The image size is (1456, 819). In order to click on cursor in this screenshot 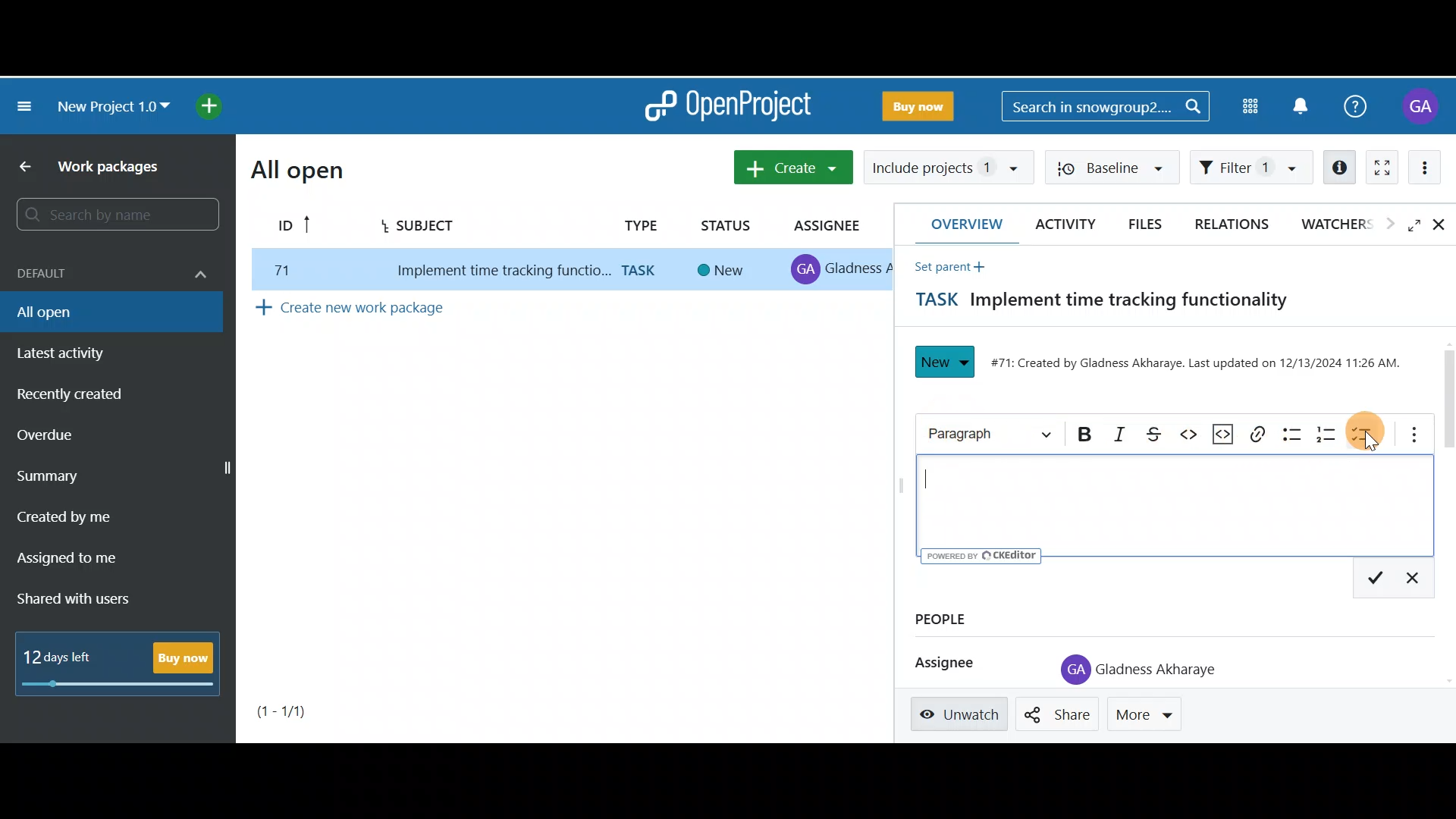, I will do `click(1372, 441)`.